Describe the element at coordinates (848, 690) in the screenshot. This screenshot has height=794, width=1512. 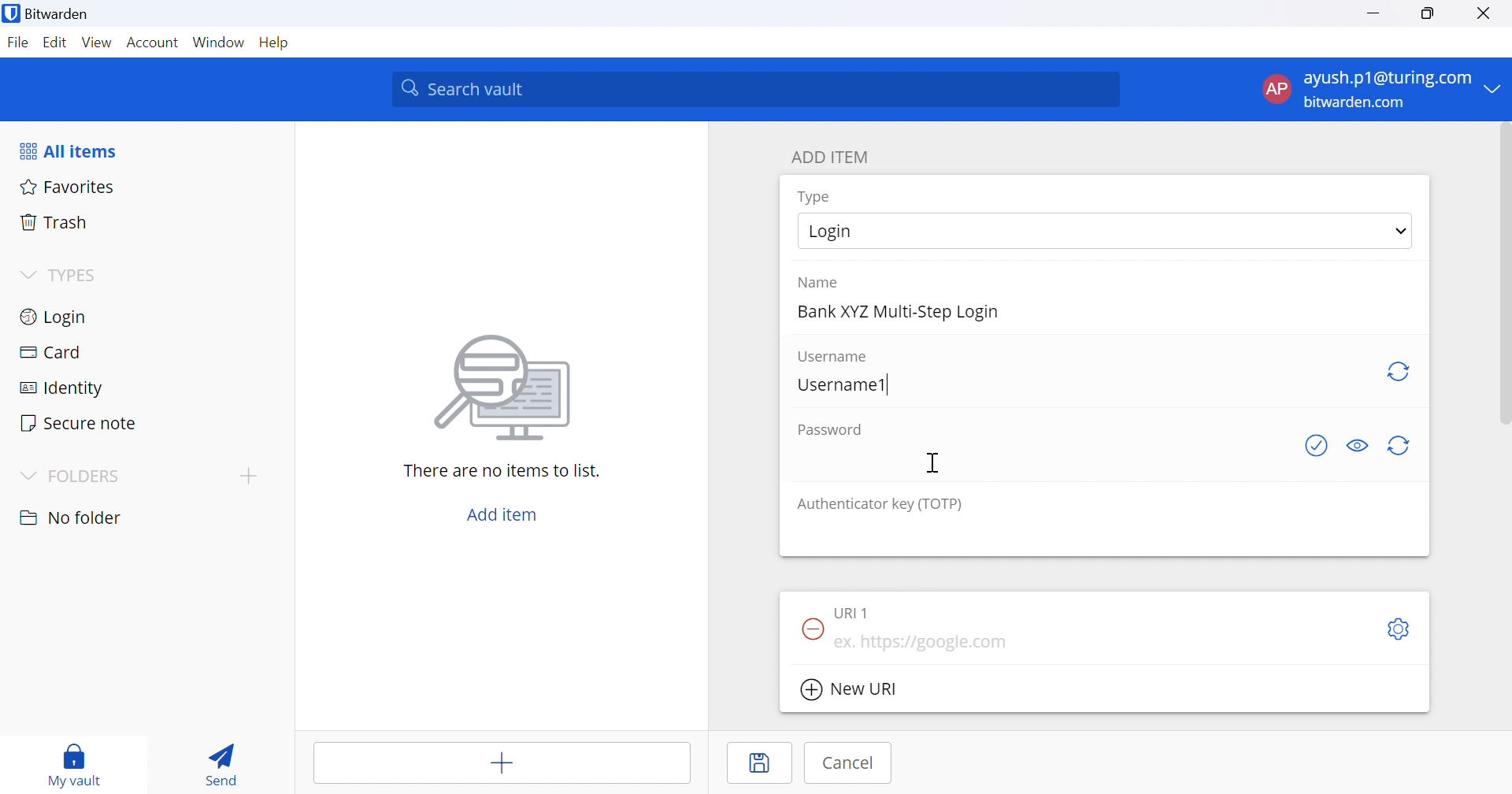
I see `New URI` at that location.